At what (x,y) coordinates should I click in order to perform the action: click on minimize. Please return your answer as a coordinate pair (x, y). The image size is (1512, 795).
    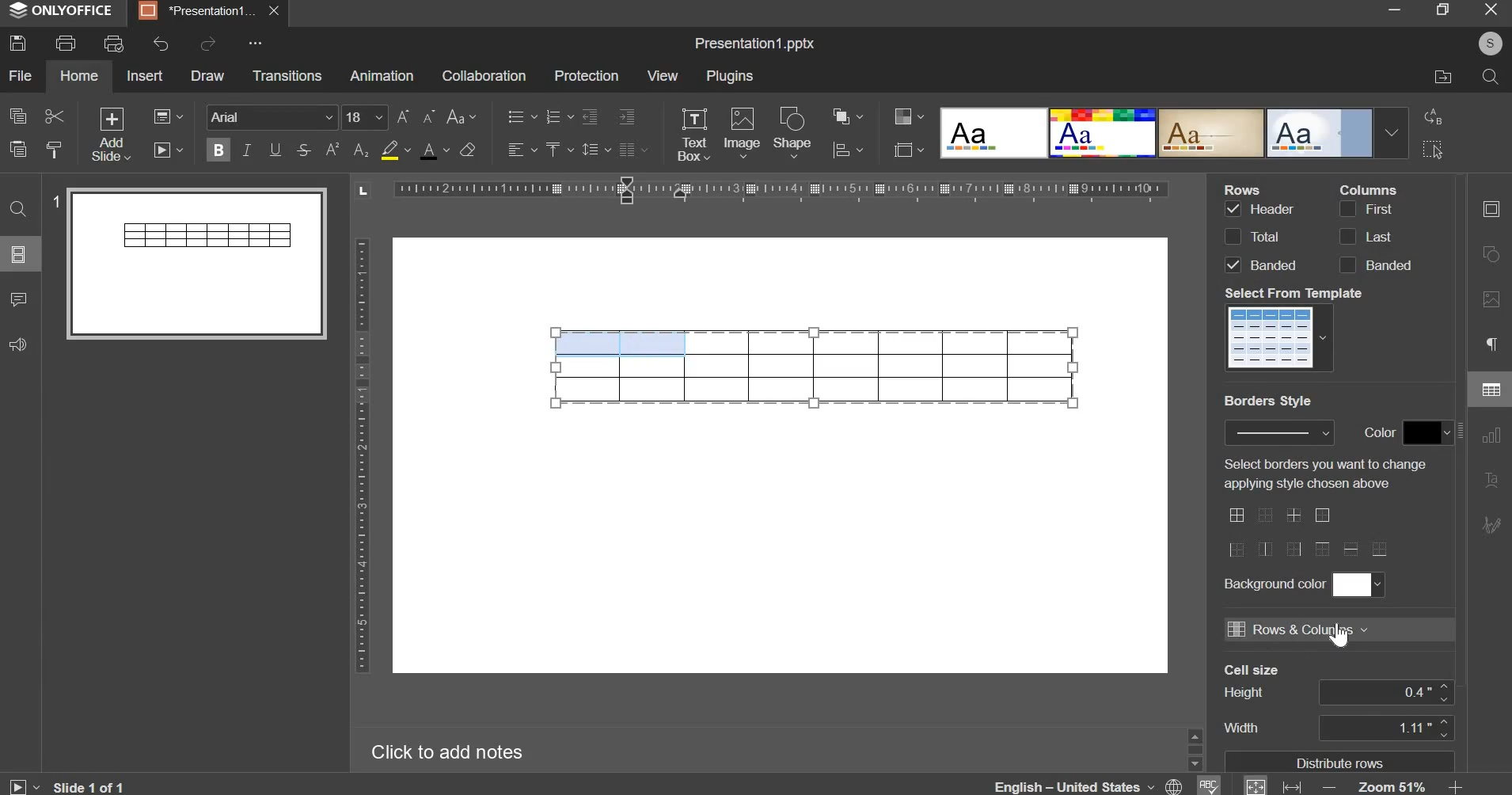
    Looking at the image, I should click on (1394, 11).